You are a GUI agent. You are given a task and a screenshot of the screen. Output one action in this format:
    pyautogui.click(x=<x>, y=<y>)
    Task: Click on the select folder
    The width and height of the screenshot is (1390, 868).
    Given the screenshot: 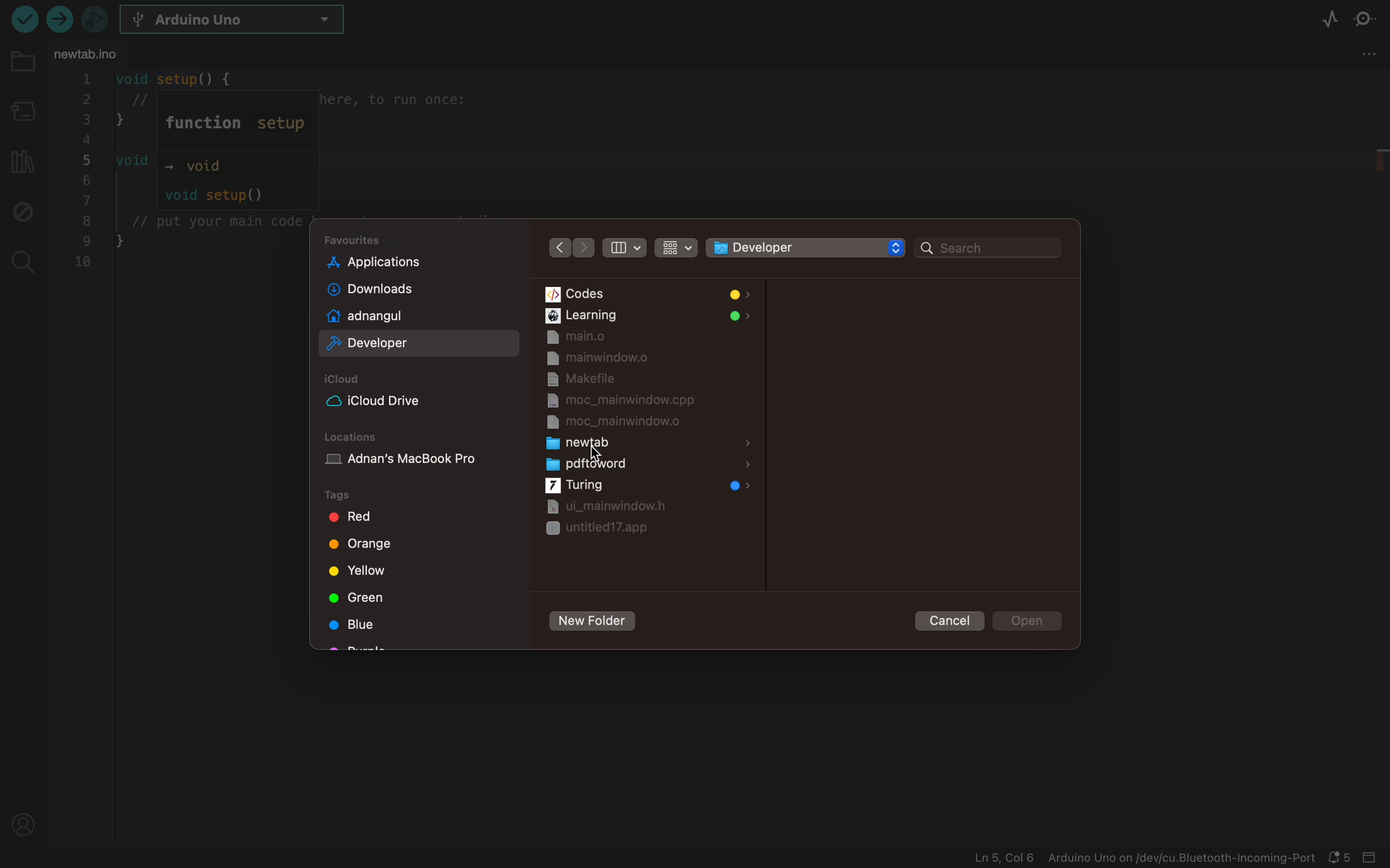 What is the action you would take?
    pyautogui.click(x=791, y=247)
    